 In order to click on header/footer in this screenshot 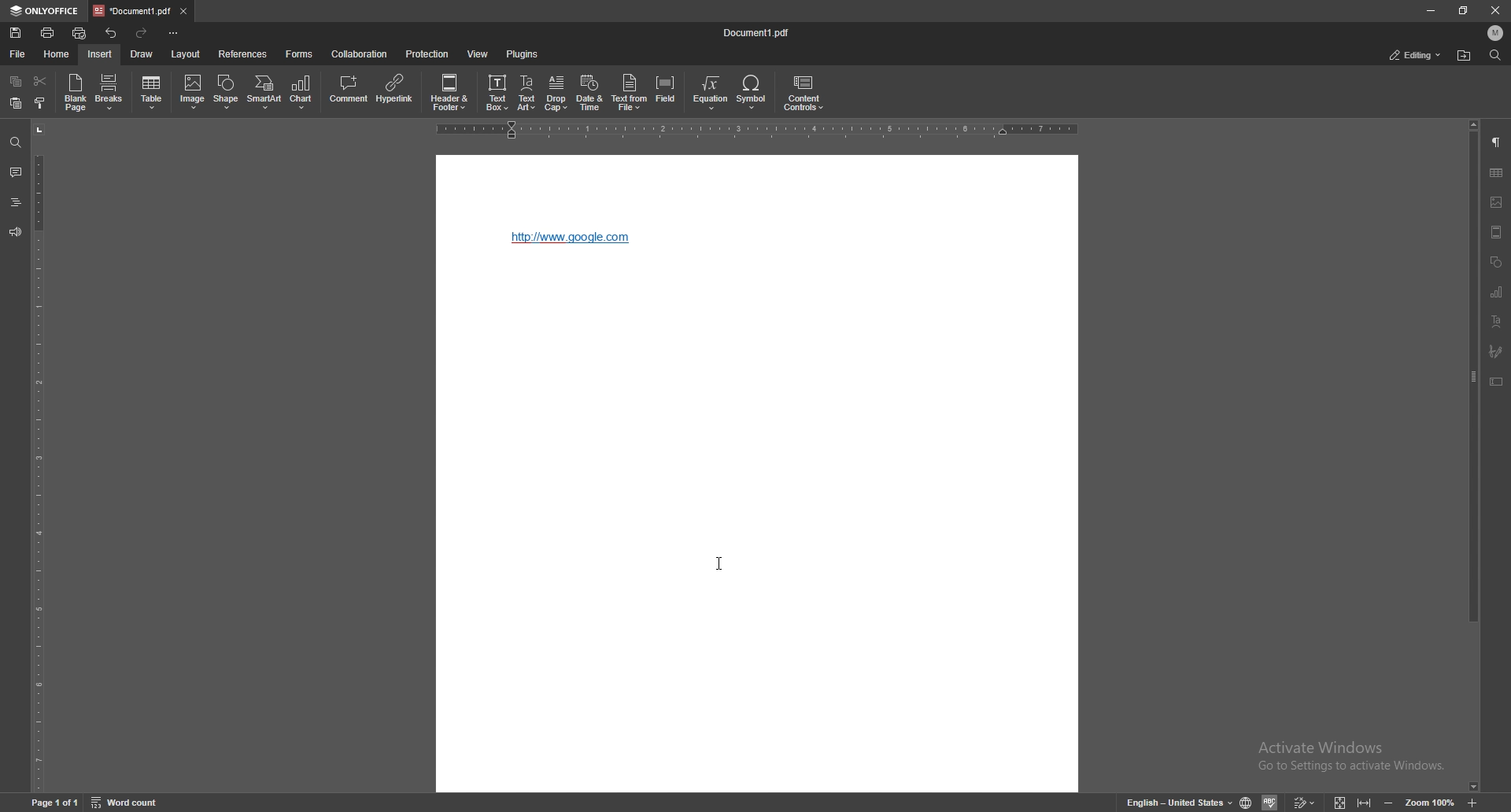, I will do `click(1497, 231)`.